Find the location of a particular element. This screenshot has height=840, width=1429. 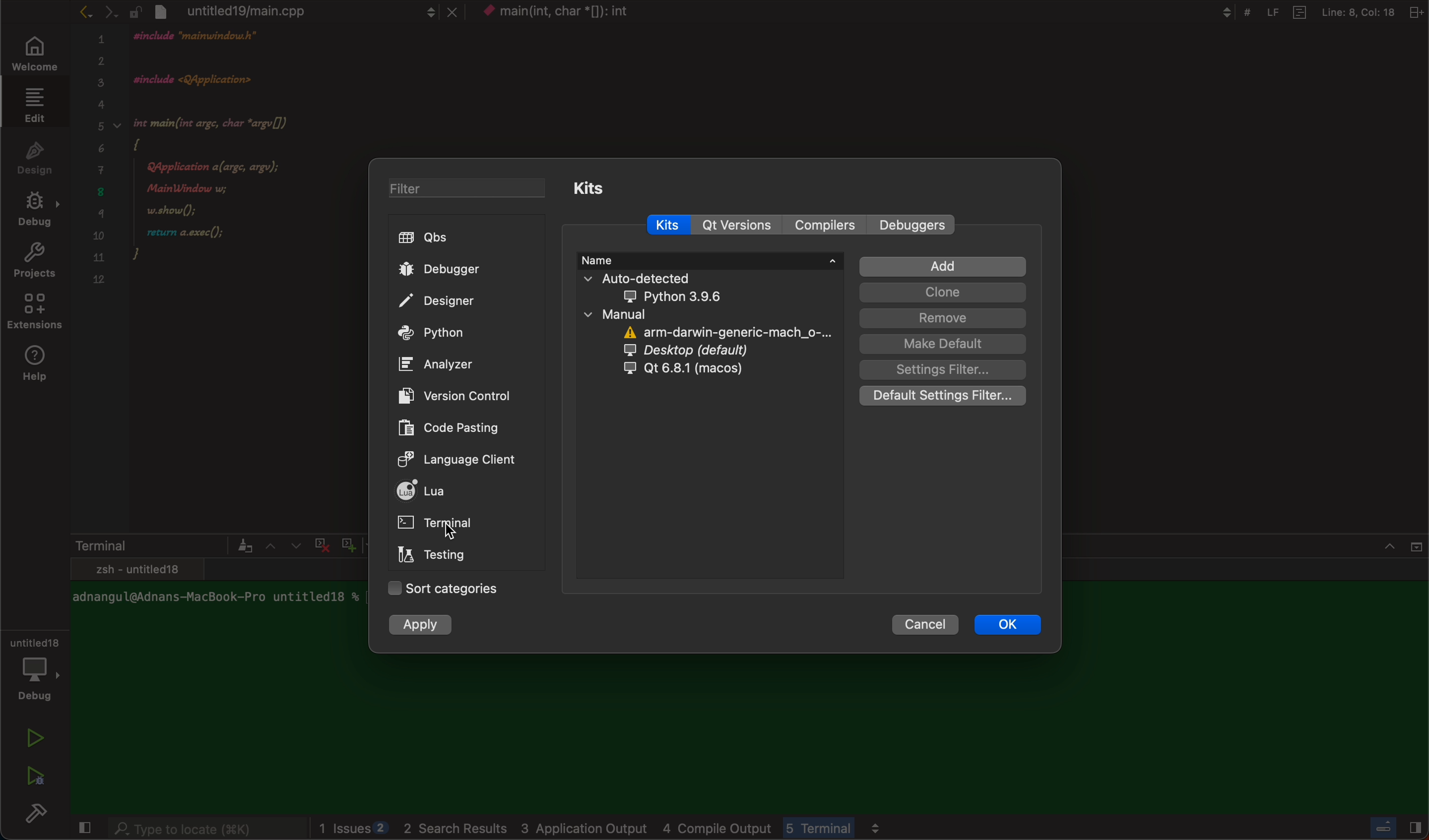

run and debug is located at coordinates (34, 775).